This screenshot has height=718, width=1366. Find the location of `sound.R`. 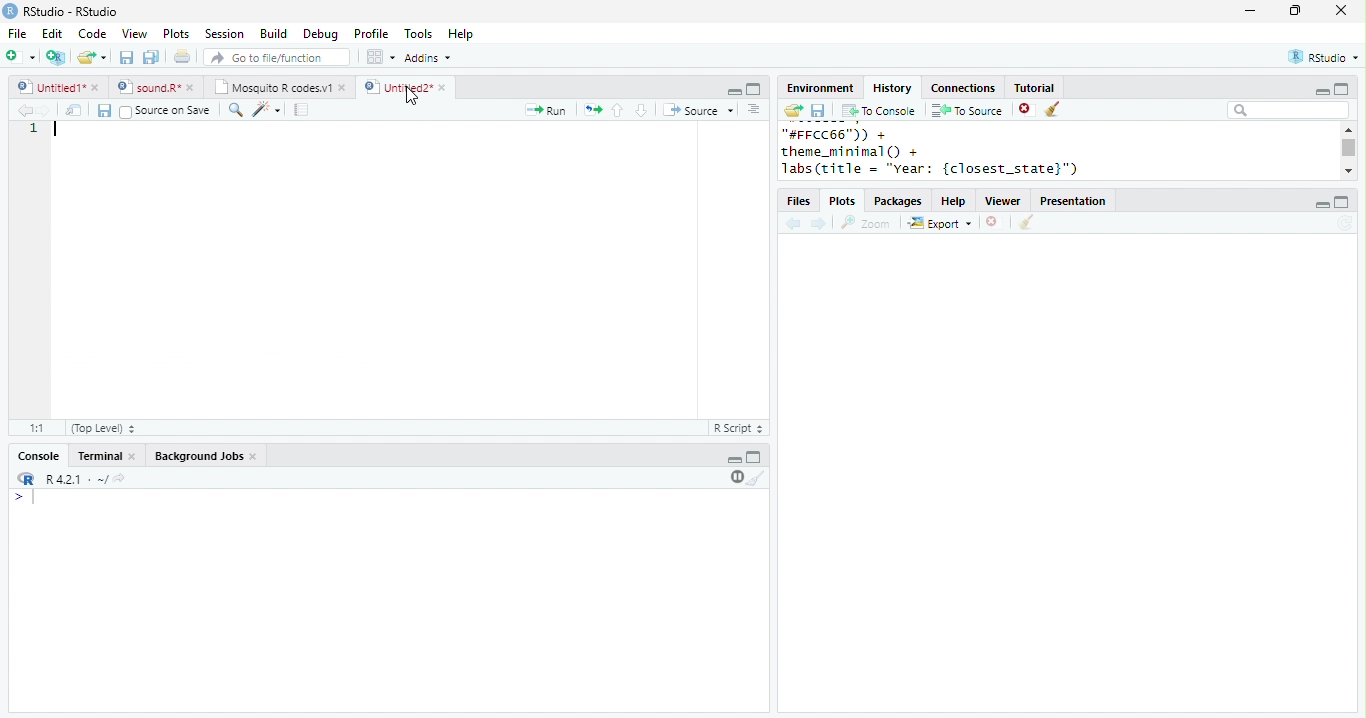

sound.R is located at coordinates (149, 87).